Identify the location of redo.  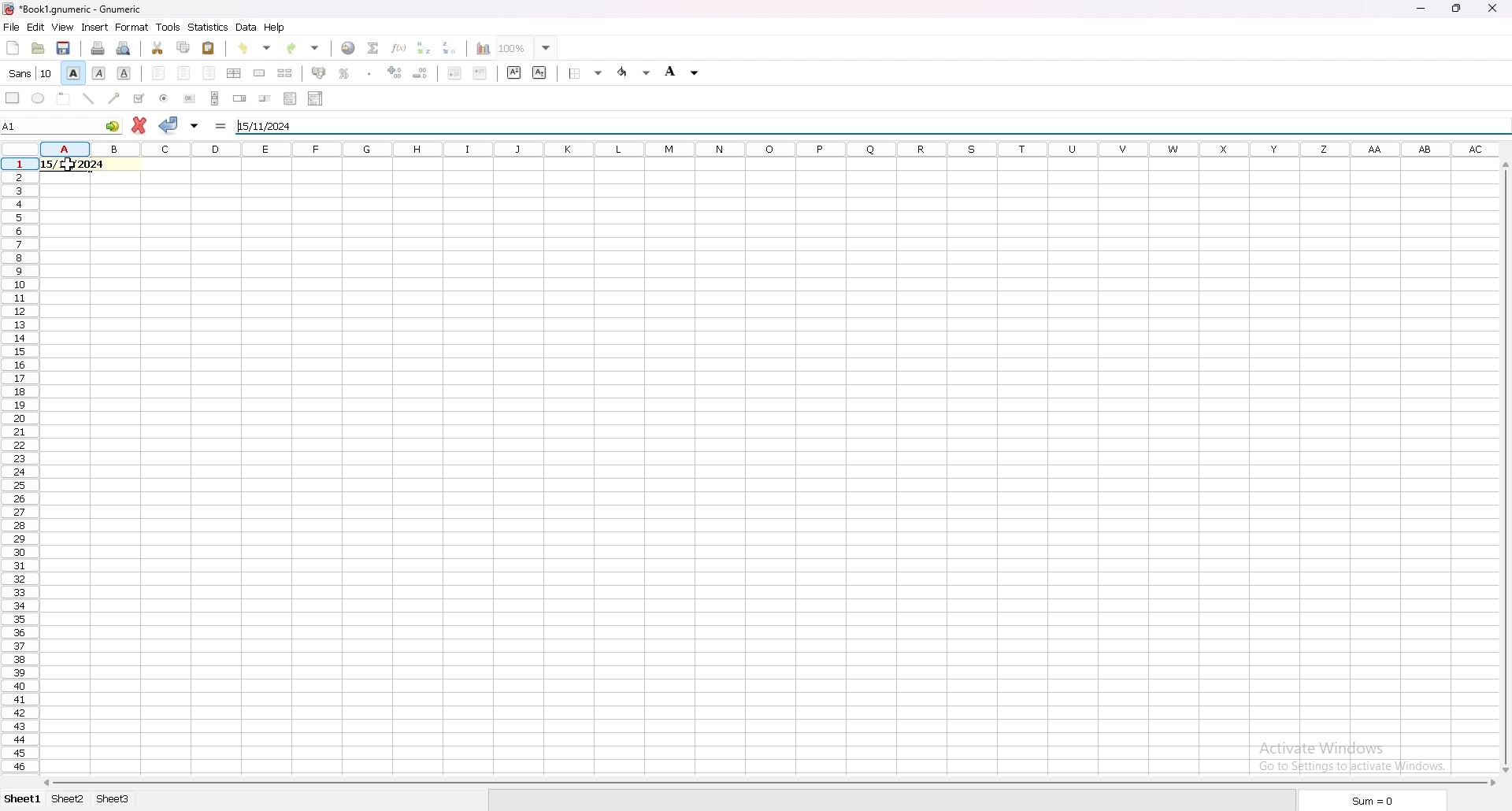
(301, 48).